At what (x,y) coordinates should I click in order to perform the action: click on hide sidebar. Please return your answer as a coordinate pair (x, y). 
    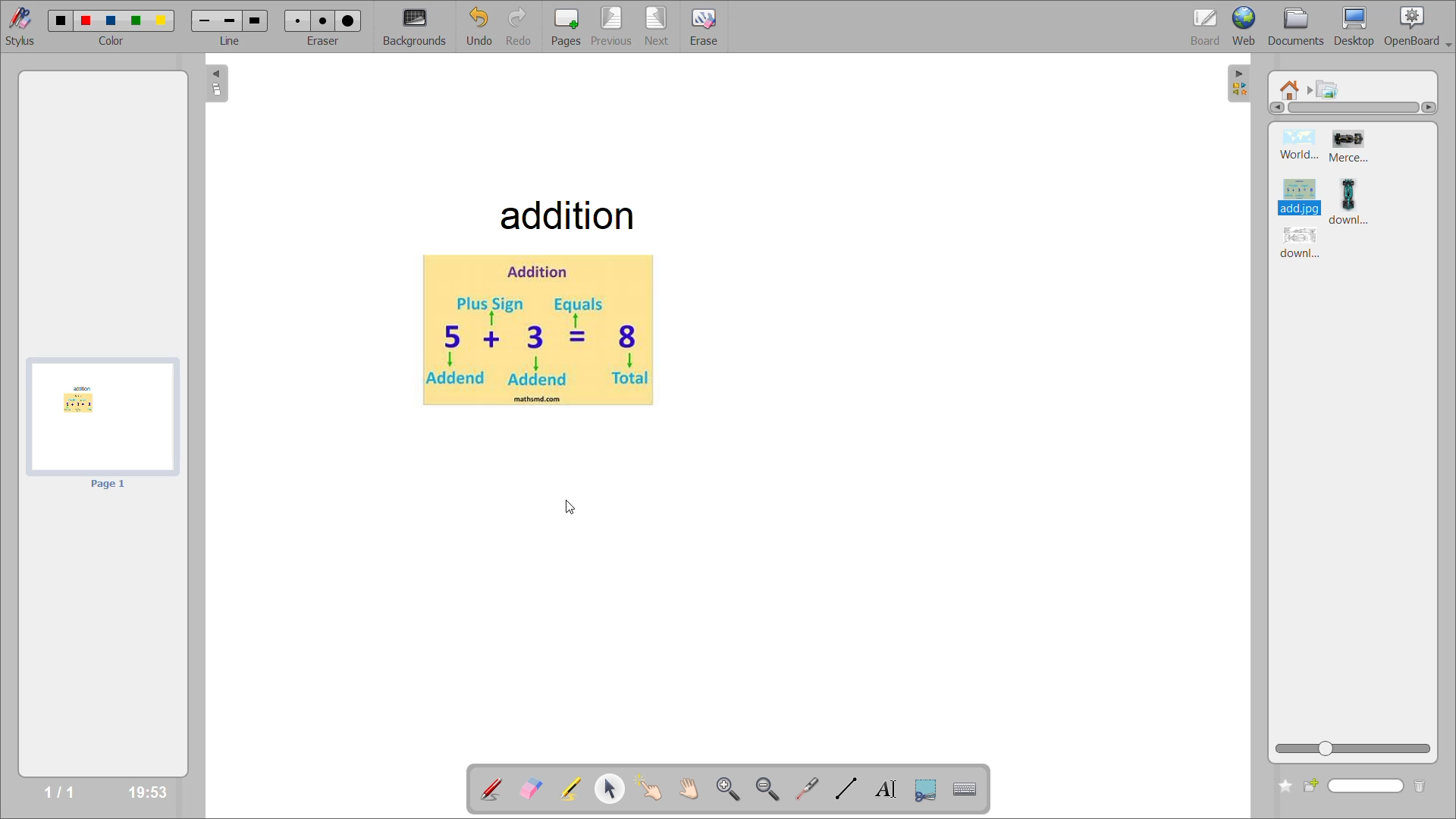
    Looking at the image, I should click on (1240, 85).